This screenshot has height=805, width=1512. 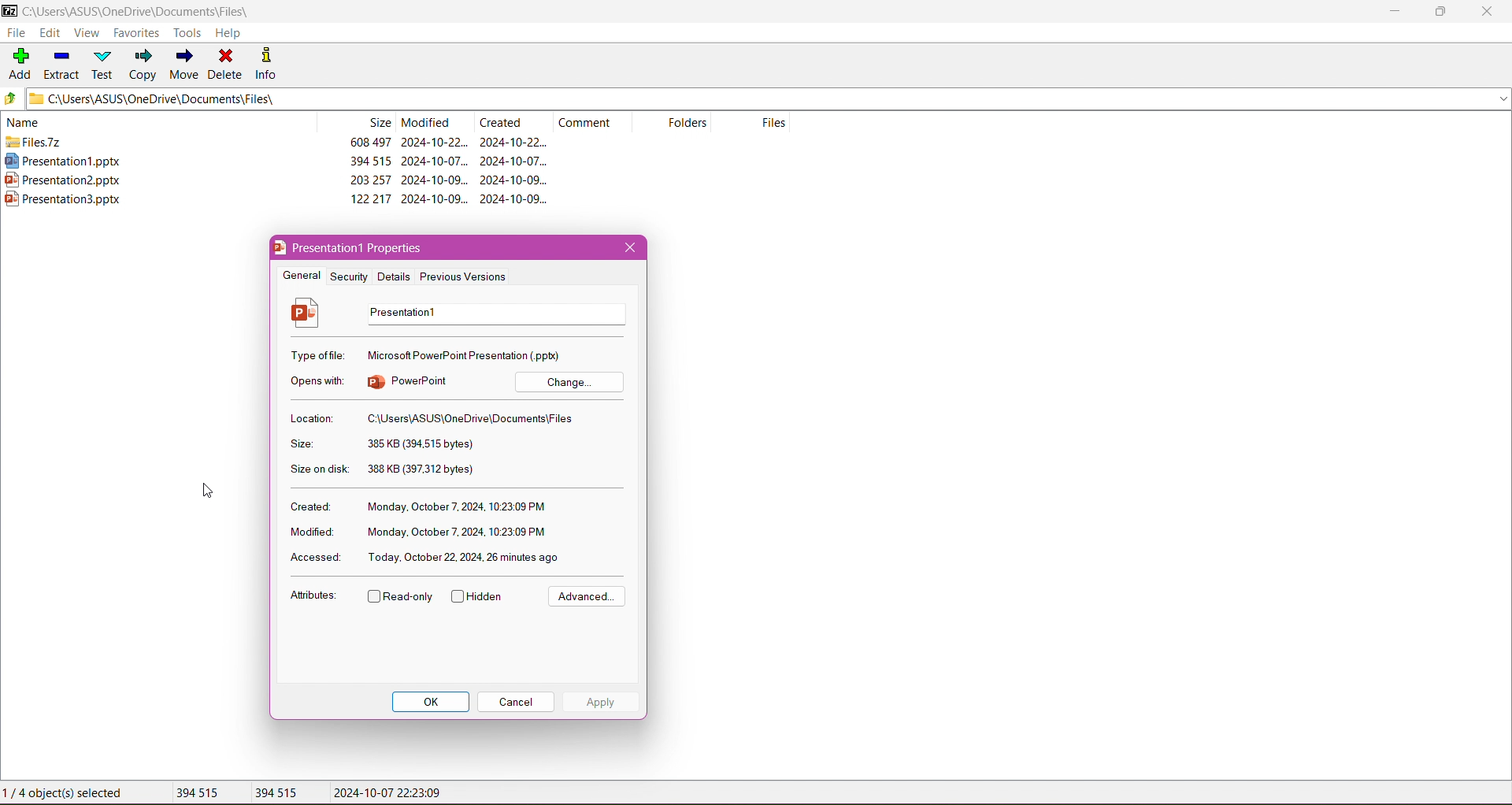 I want to click on created, so click(x=501, y=122).